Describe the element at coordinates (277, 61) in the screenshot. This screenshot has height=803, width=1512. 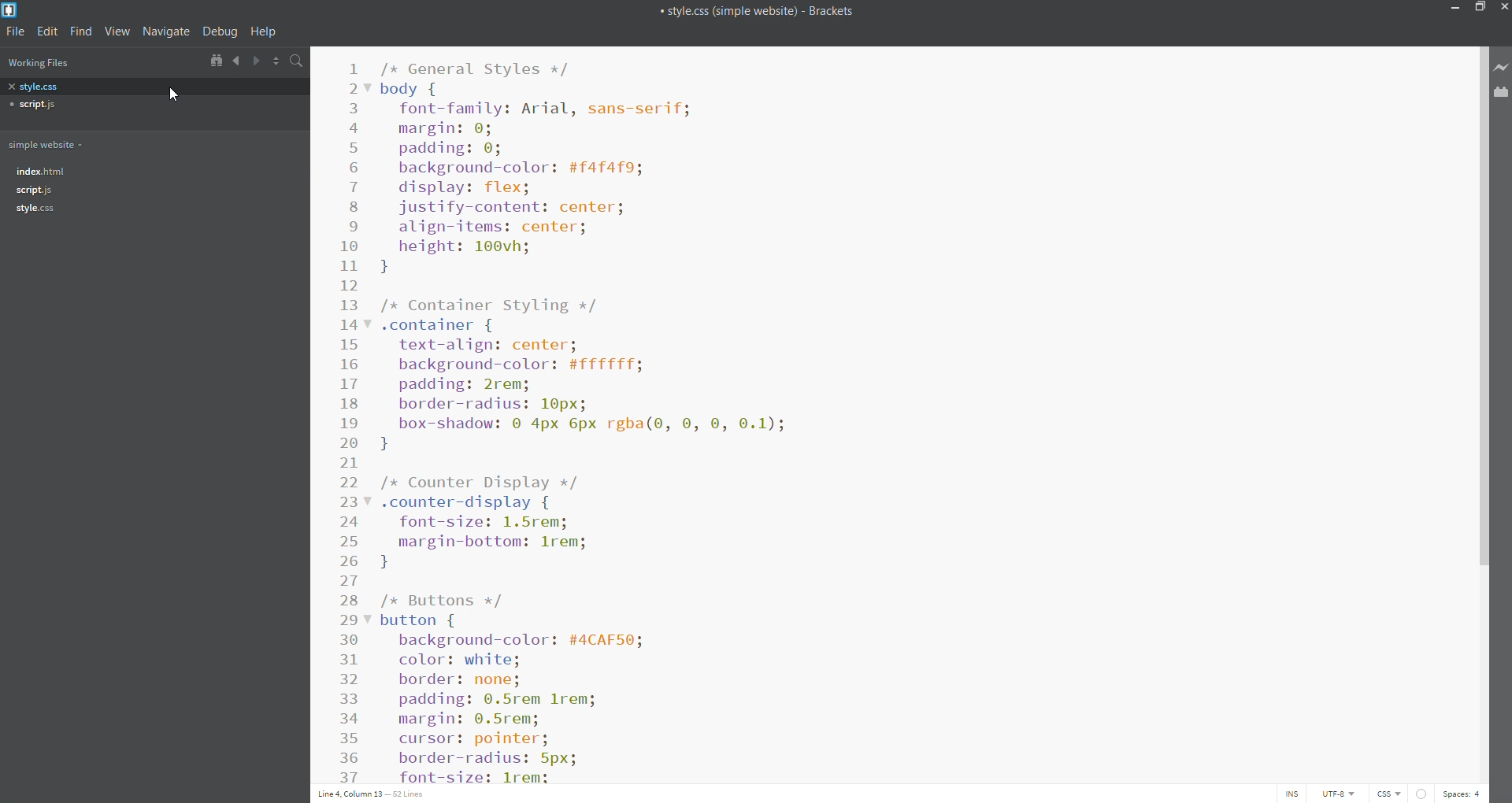
I see `split view` at that location.